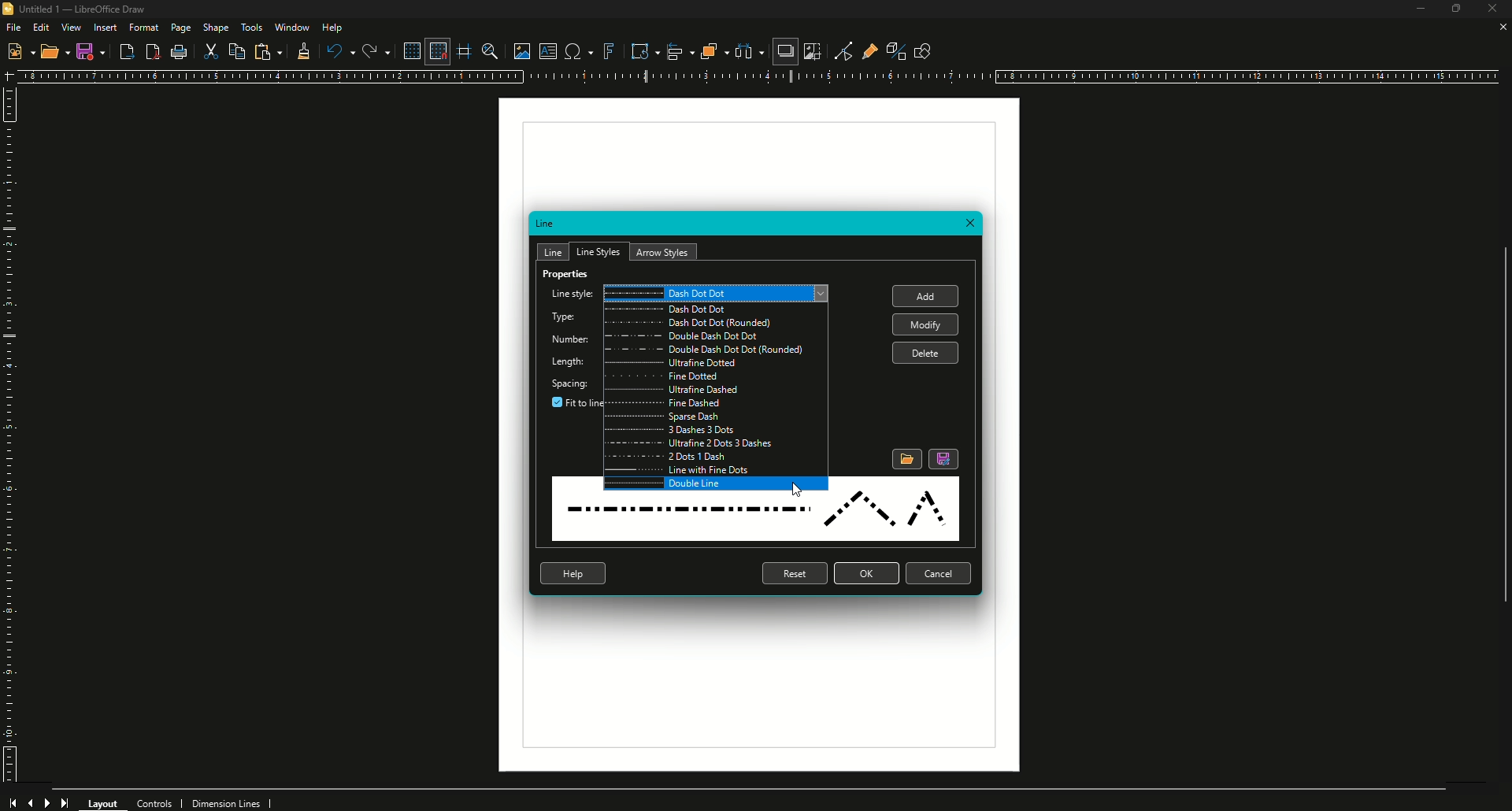 This screenshot has height=811, width=1512. What do you see at coordinates (838, 50) in the screenshot?
I see `Toggle Point Edit Mode` at bounding box center [838, 50].